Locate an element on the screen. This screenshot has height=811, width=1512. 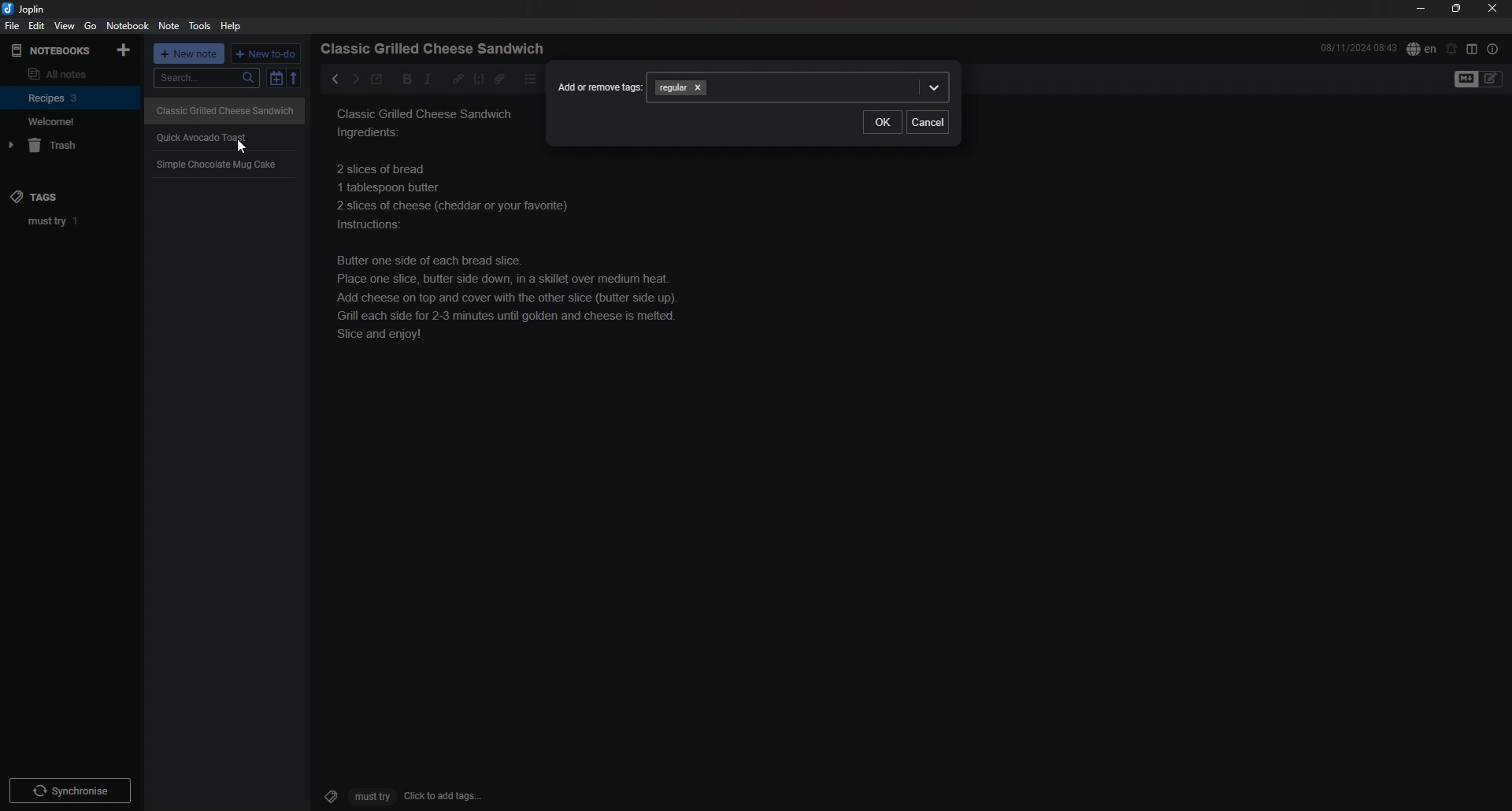
click to add tags is located at coordinates (396, 795).